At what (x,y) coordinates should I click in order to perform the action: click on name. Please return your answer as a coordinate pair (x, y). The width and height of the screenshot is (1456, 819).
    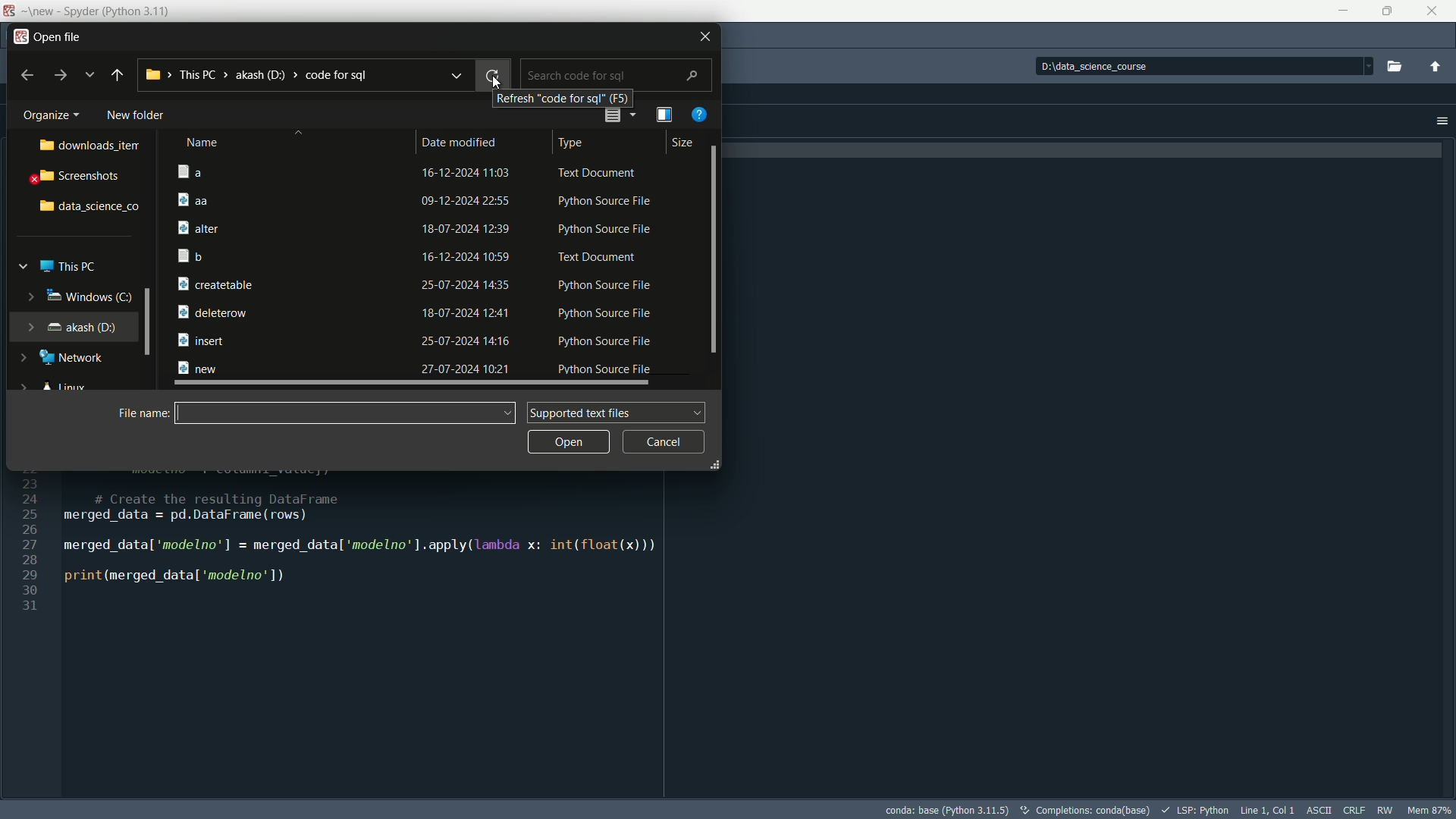
    Looking at the image, I should click on (204, 143).